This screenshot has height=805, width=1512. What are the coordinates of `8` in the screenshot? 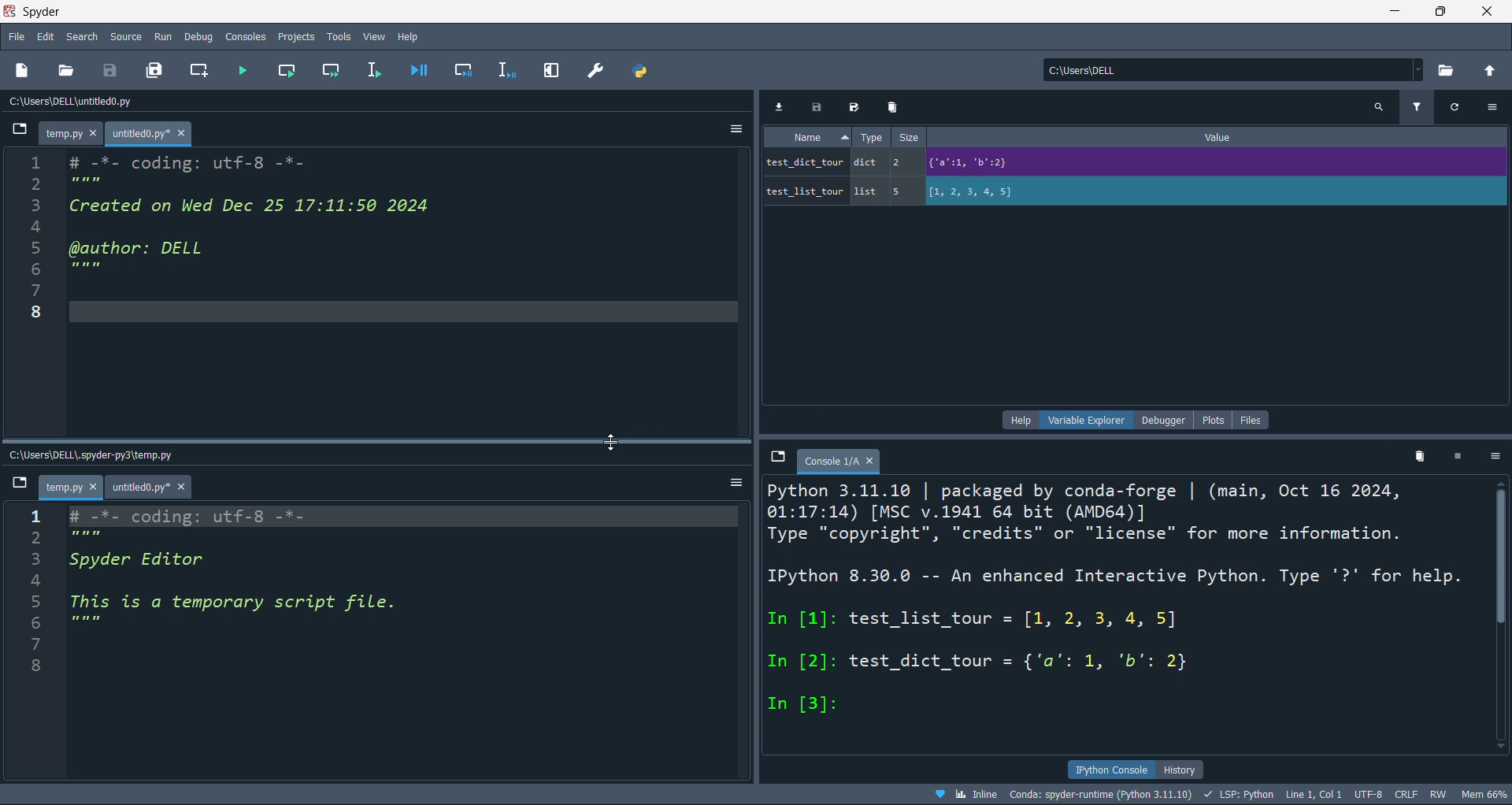 It's located at (40, 310).